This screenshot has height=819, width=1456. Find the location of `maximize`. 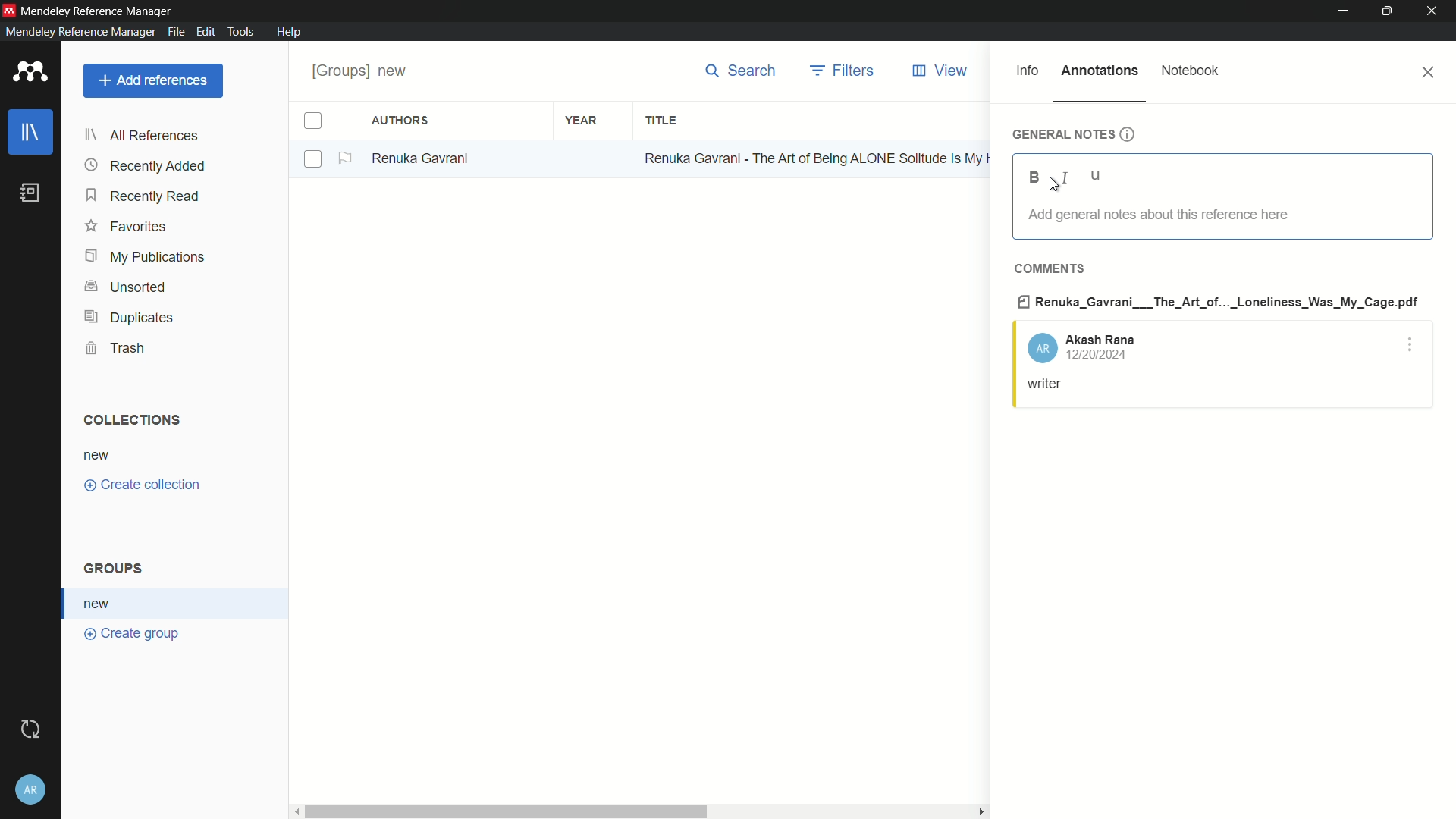

maximize is located at coordinates (1389, 11).